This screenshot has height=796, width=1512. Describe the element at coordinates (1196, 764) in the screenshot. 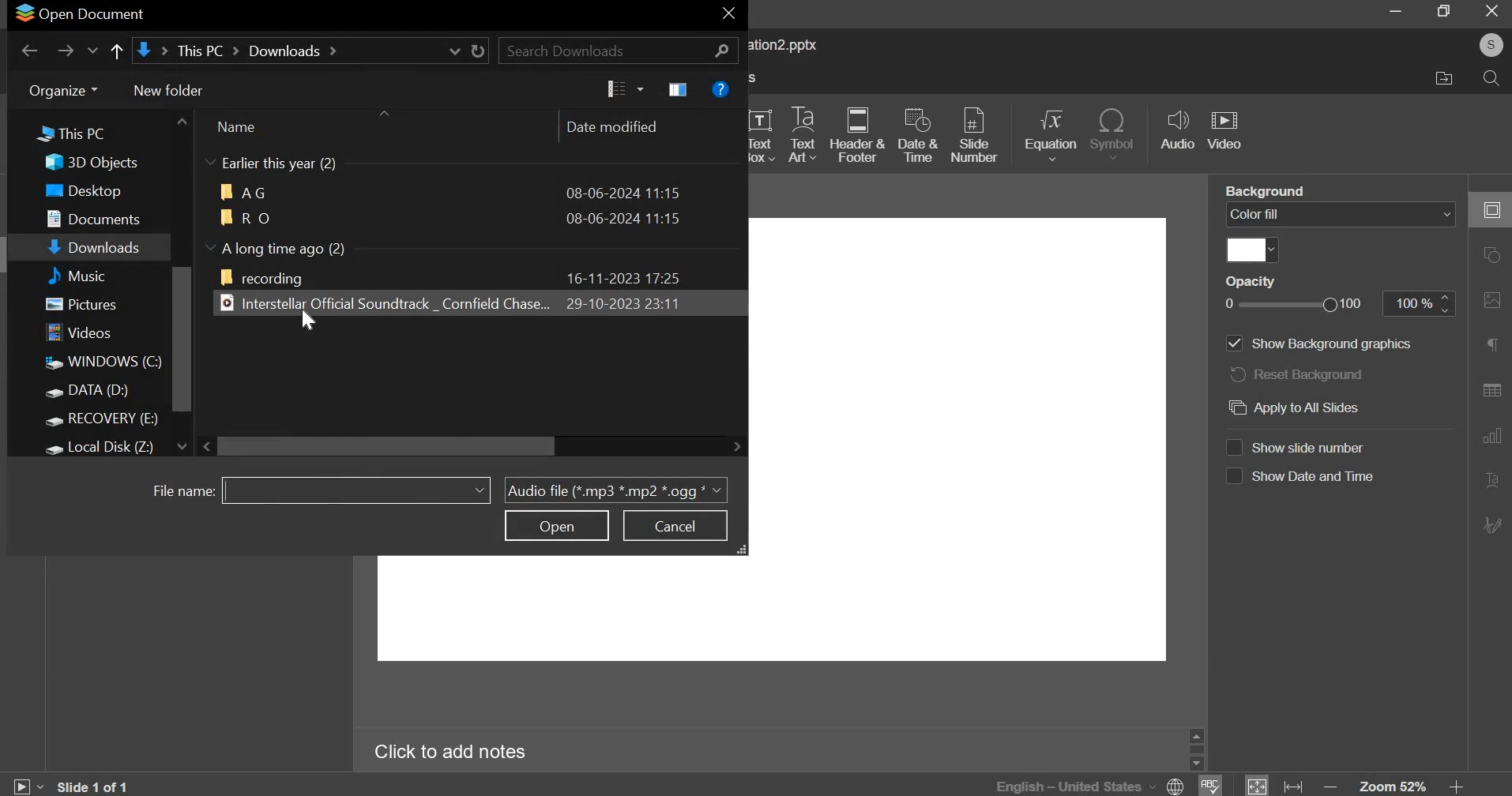

I see `scroll down` at that location.